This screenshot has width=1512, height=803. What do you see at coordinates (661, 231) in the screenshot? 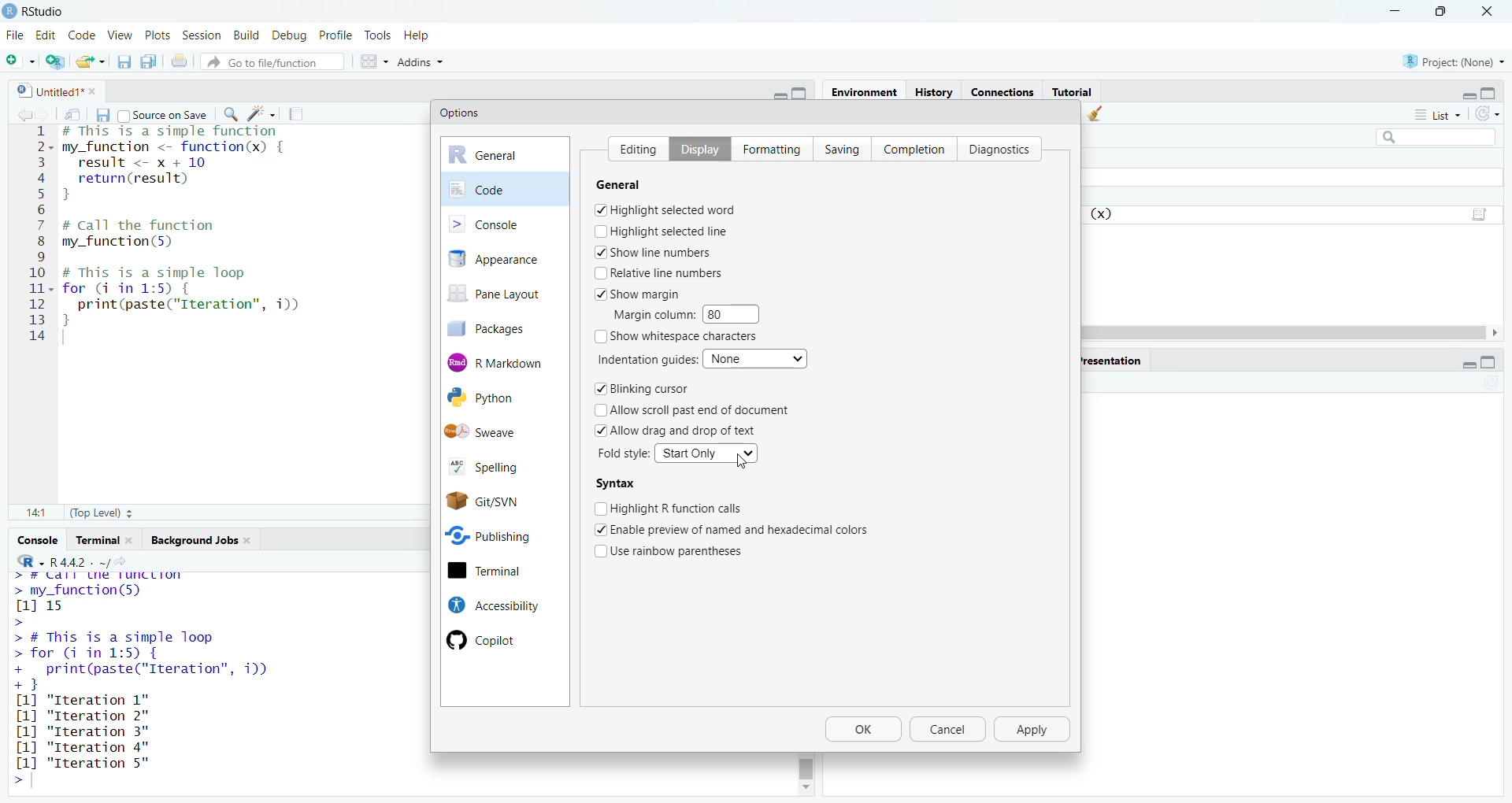
I see `highlight selected line` at bounding box center [661, 231].